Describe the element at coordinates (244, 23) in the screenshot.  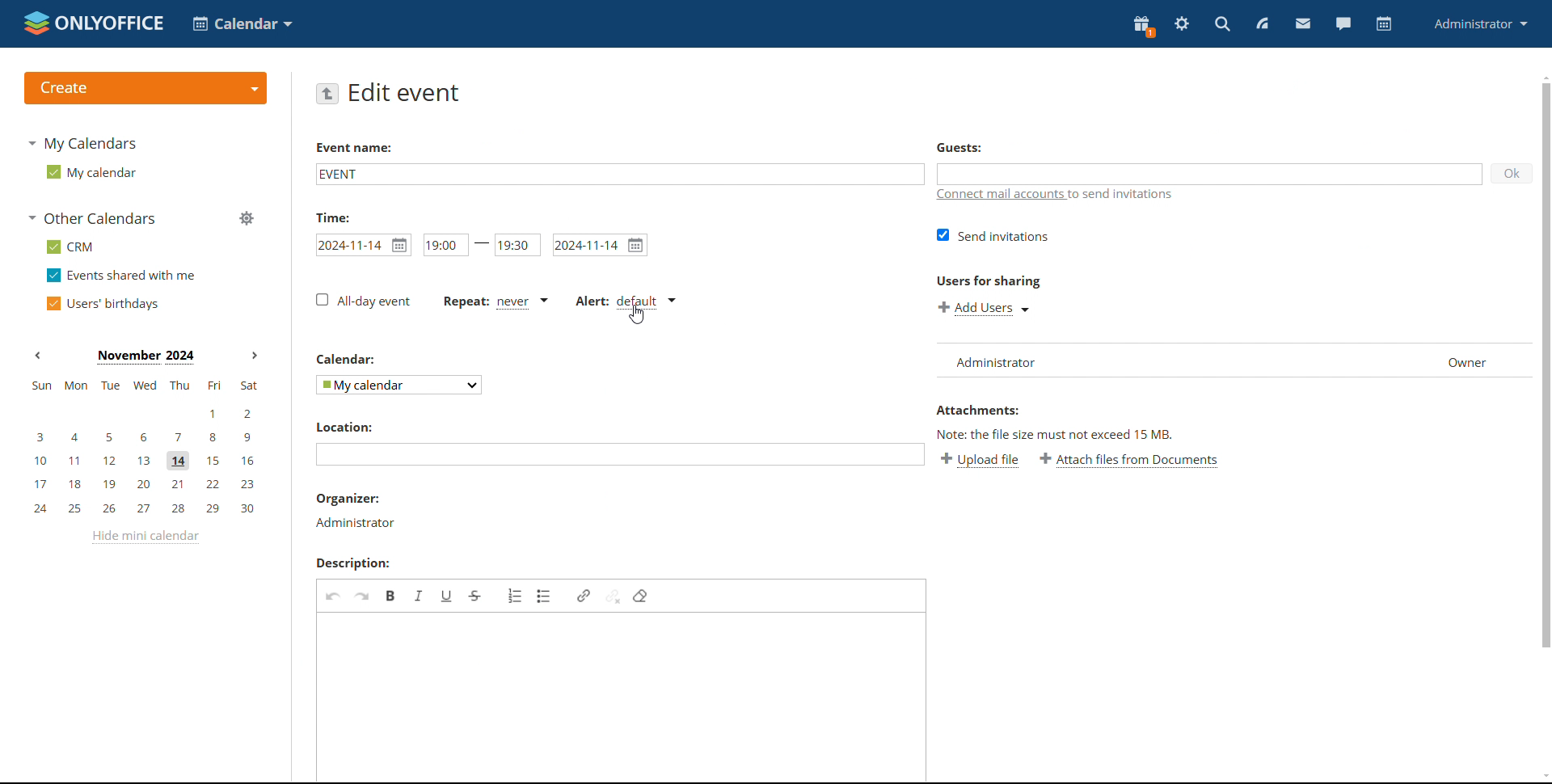
I see `select application` at that location.